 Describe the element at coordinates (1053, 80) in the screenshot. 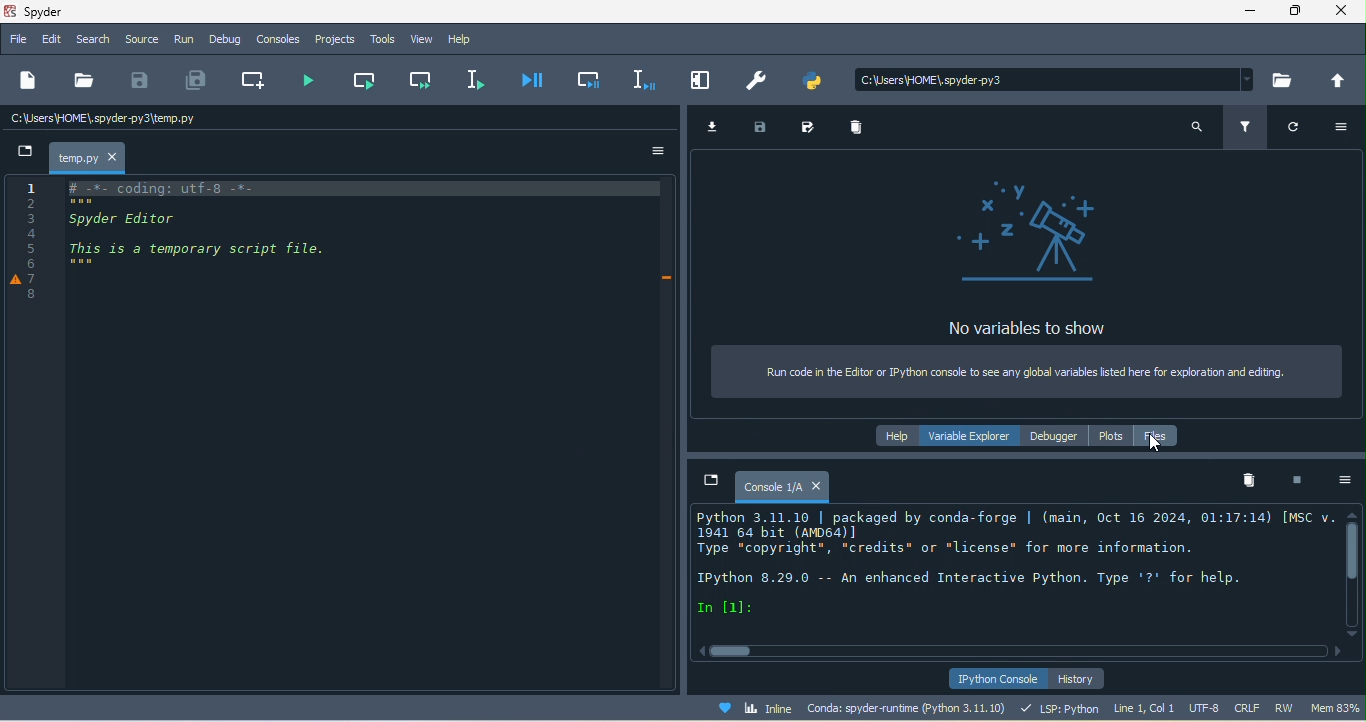

I see `search bar` at that location.